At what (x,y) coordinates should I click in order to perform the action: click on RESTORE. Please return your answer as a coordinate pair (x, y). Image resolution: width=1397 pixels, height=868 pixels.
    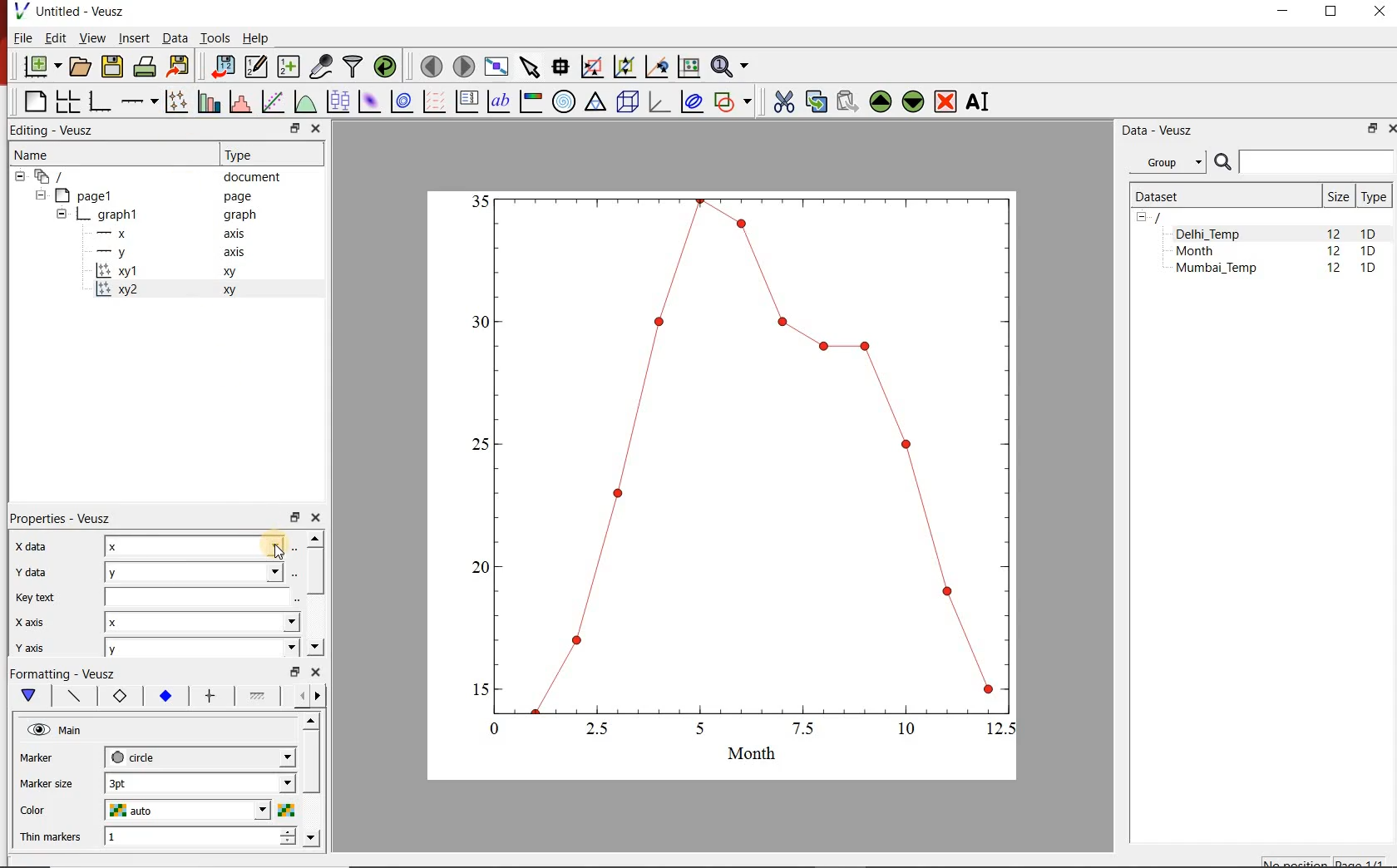
    Looking at the image, I should click on (1373, 129).